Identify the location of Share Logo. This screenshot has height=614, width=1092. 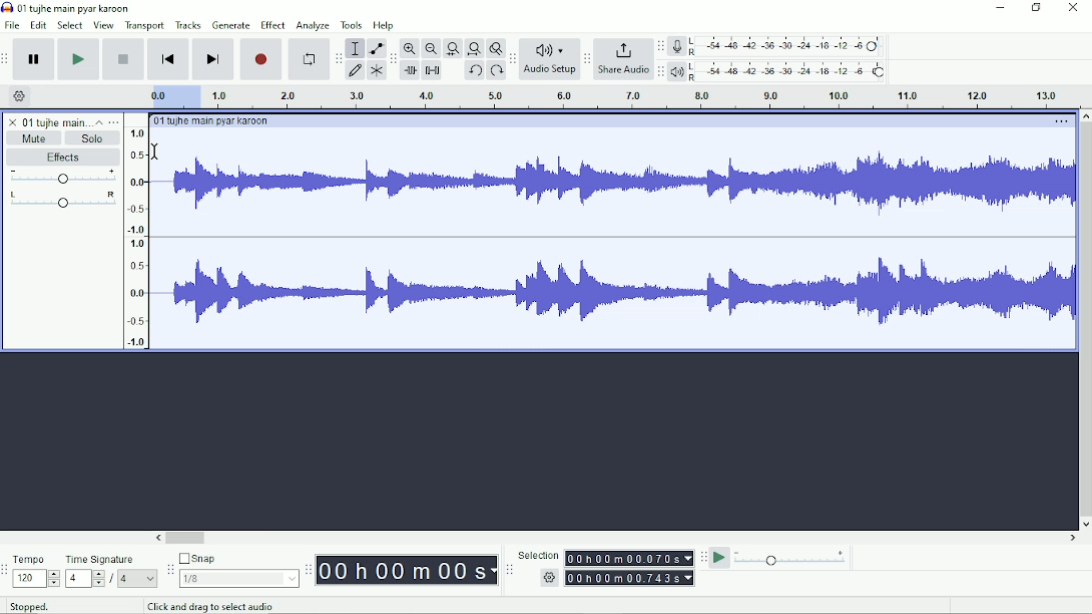
(621, 49).